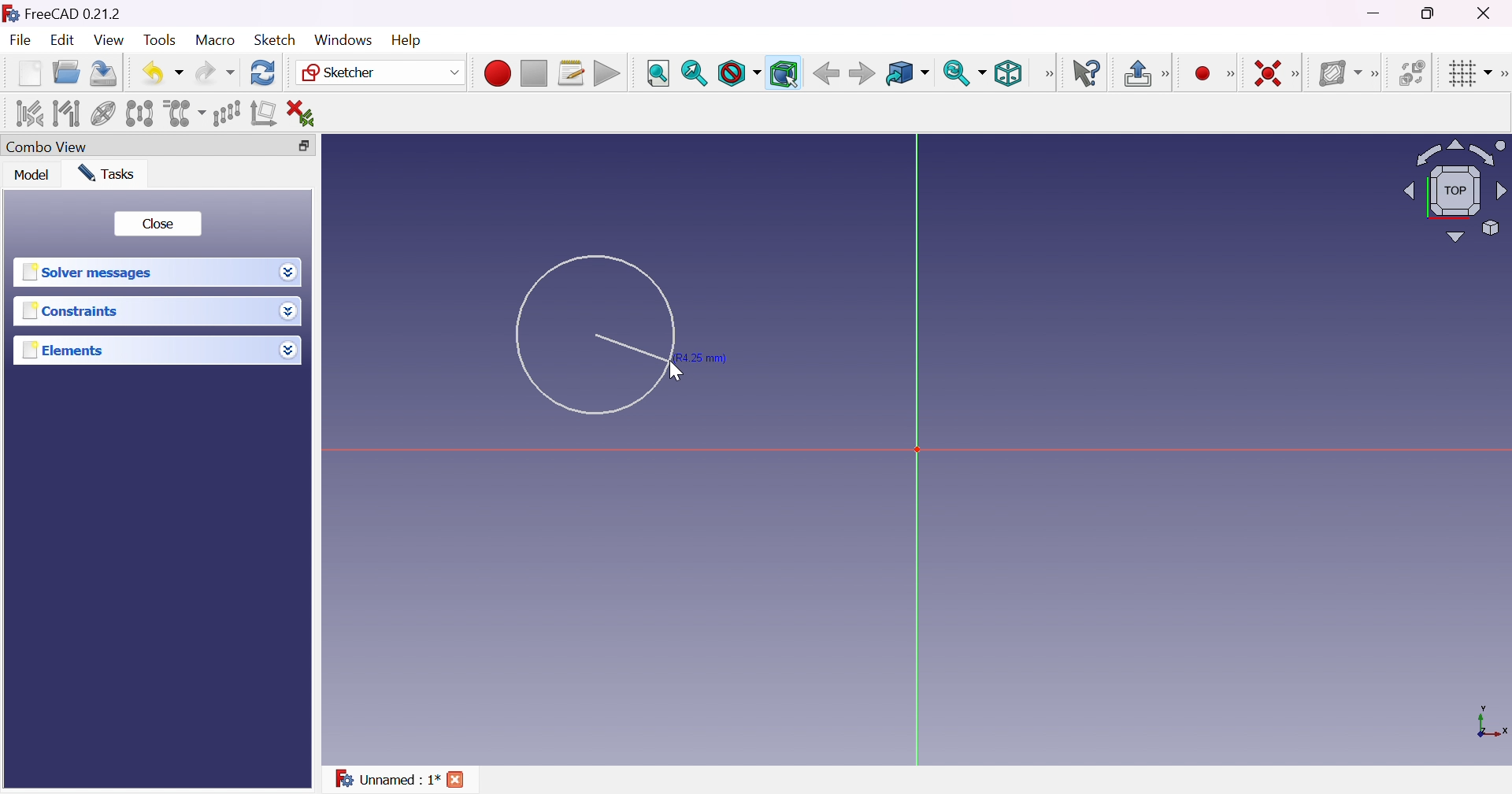 The width and height of the screenshot is (1512, 794). I want to click on Refresh, so click(263, 73).